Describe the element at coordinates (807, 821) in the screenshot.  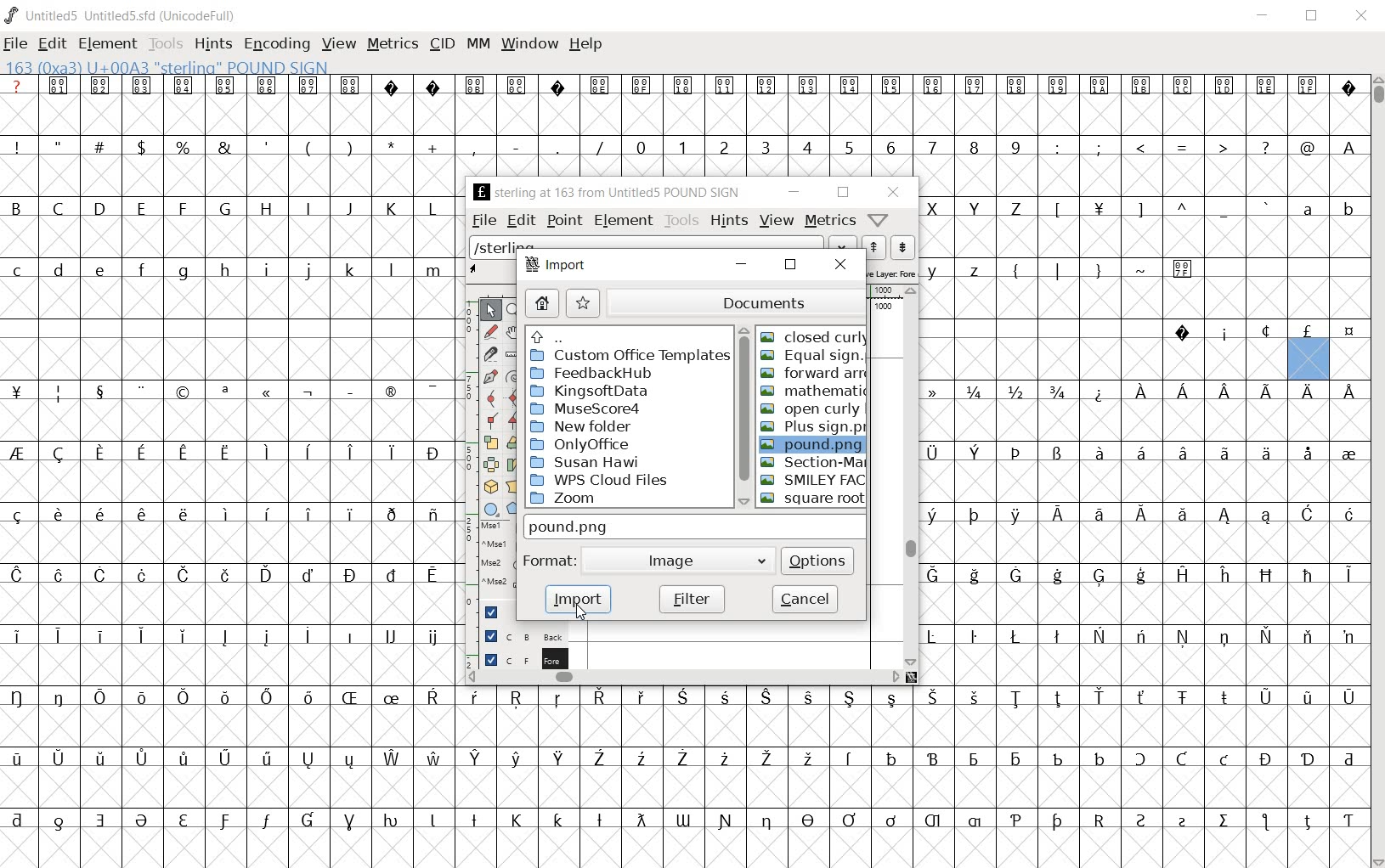
I see `Symbol` at that location.